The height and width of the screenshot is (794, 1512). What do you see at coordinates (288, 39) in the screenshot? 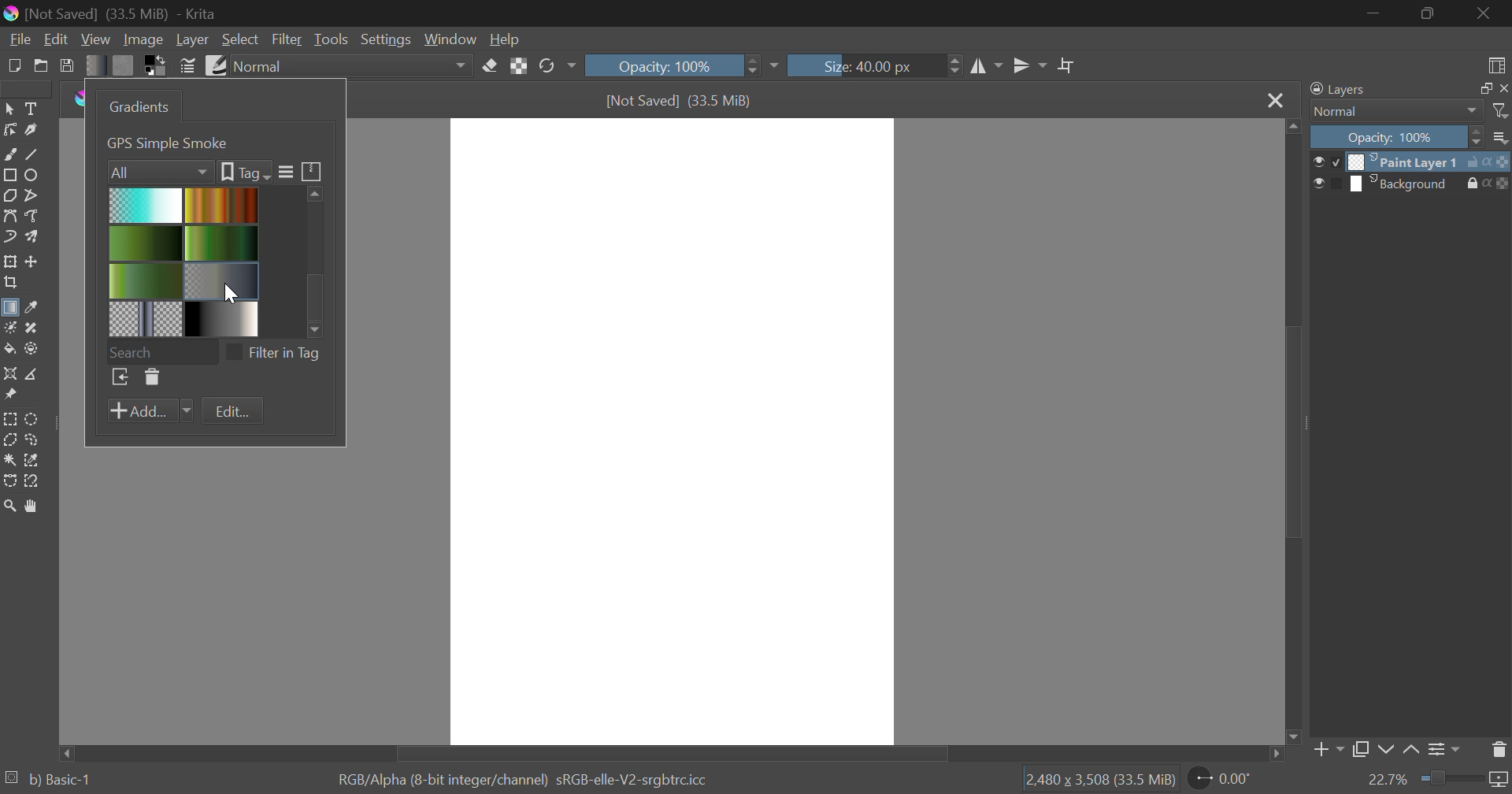
I see `Filter` at bounding box center [288, 39].